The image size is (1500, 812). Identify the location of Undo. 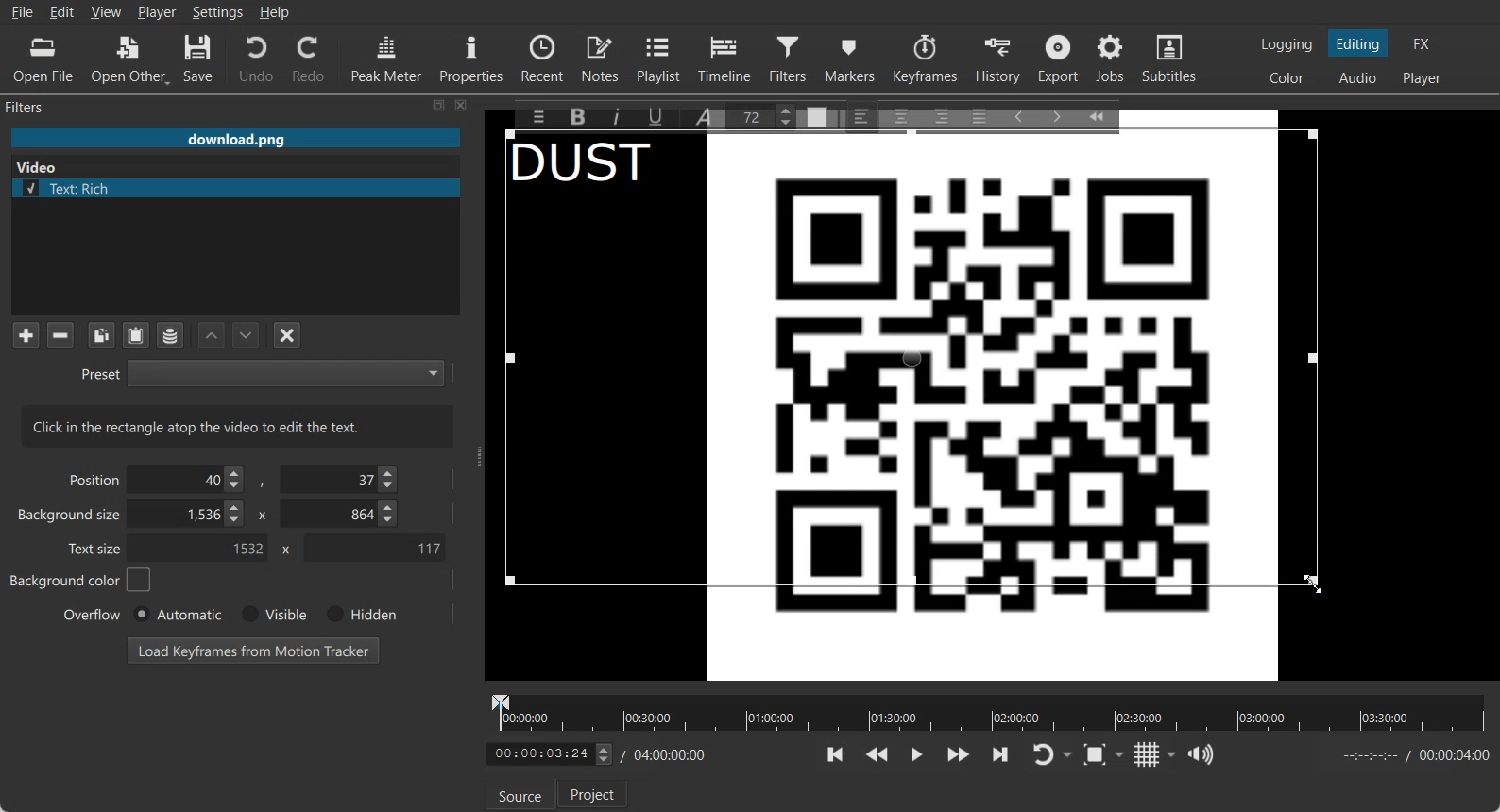
(256, 58).